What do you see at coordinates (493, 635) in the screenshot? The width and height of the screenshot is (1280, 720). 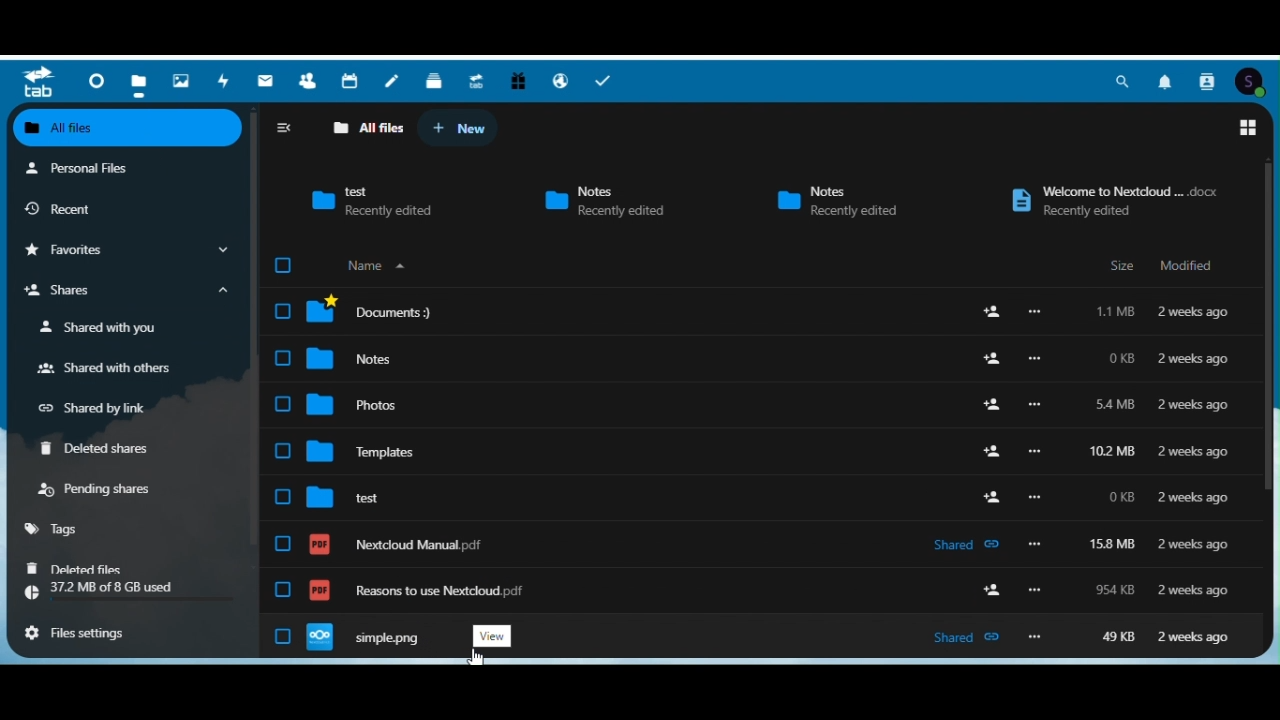 I see `view` at bounding box center [493, 635].